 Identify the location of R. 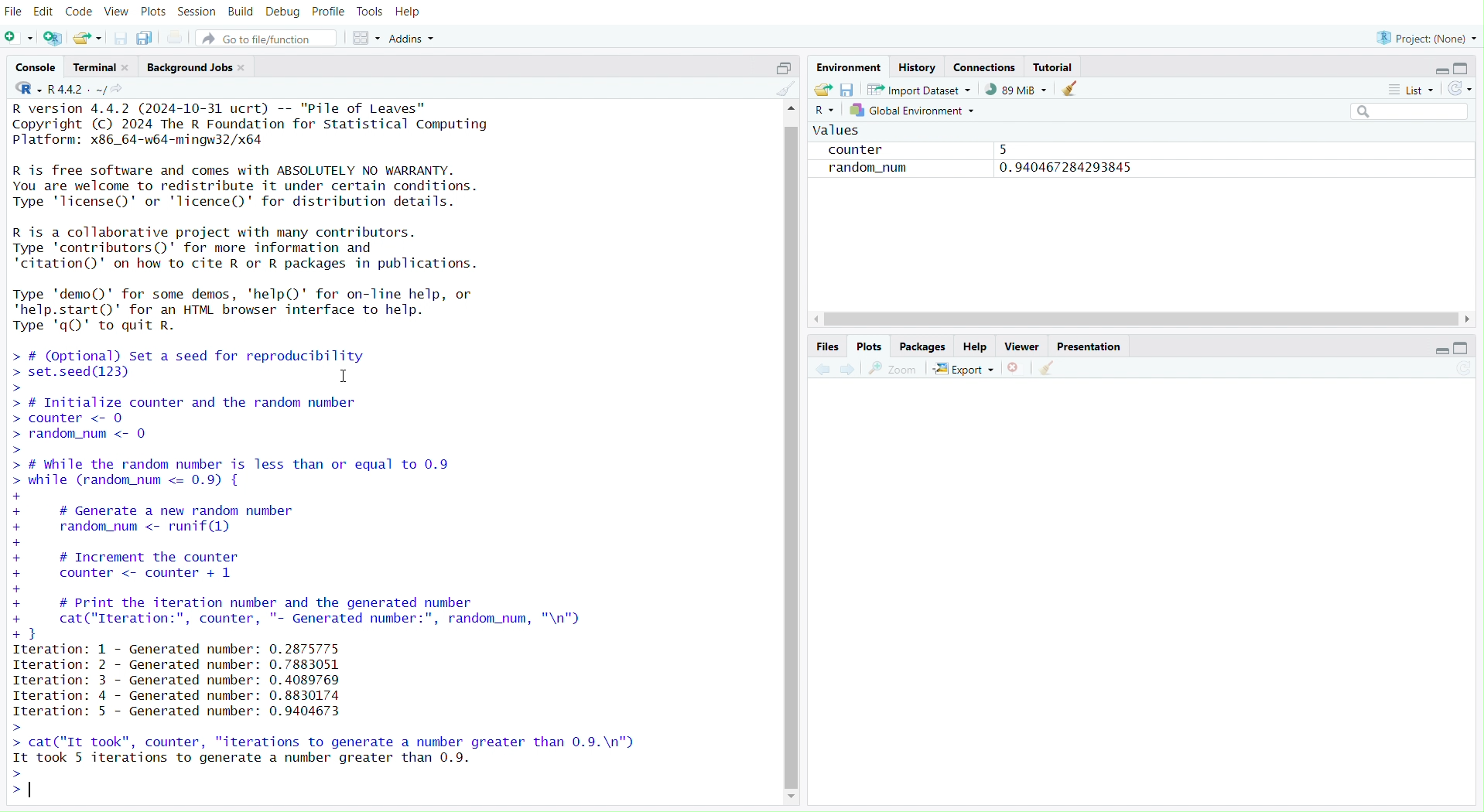
(825, 109).